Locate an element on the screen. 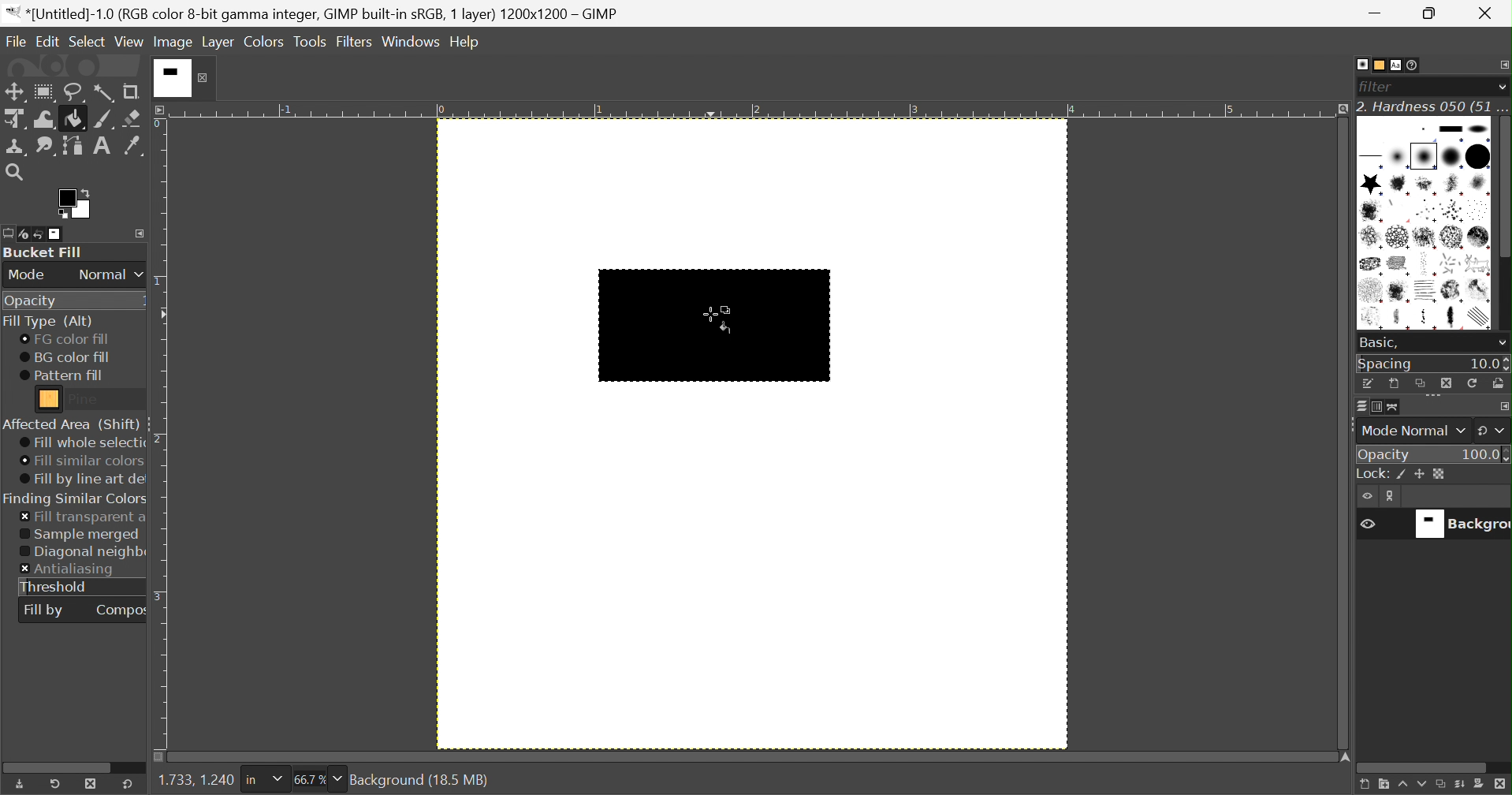 This screenshot has width=1512, height=795. Delete Tool Preset... is located at coordinates (91, 783).